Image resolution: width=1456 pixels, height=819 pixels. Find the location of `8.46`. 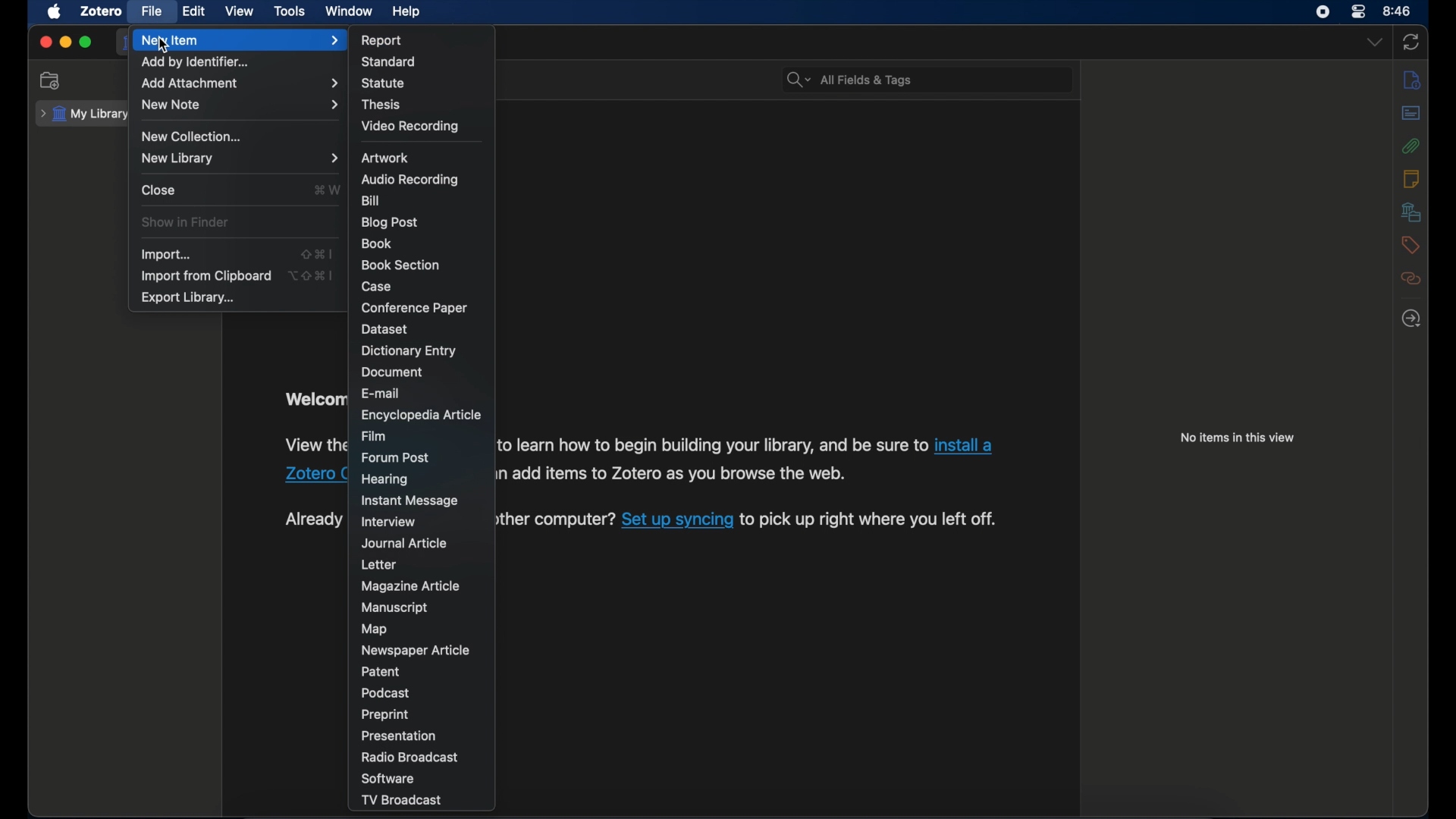

8.46 is located at coordinates (1398, 11).